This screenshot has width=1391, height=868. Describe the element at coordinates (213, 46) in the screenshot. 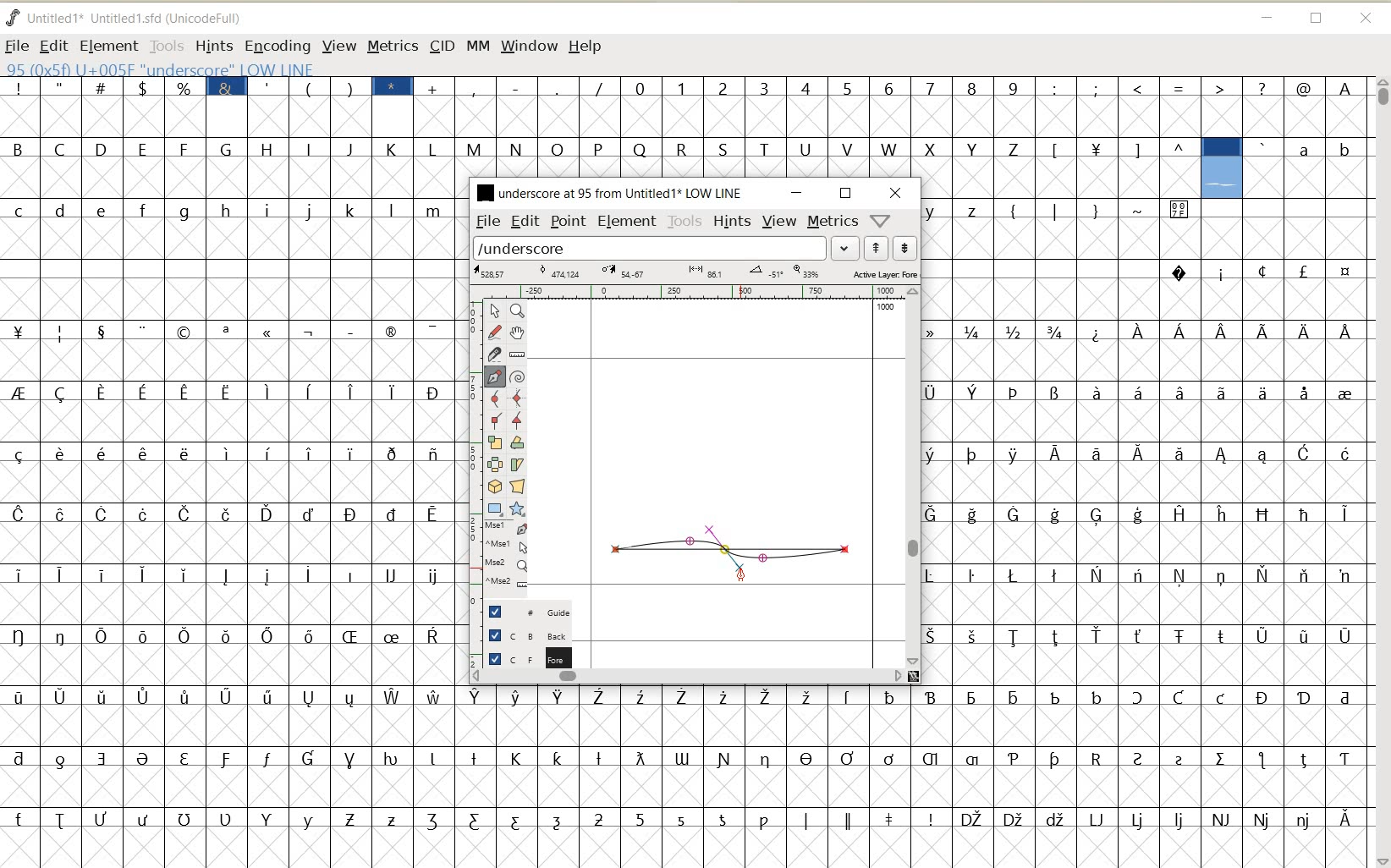

I see `HINTS` at that location.